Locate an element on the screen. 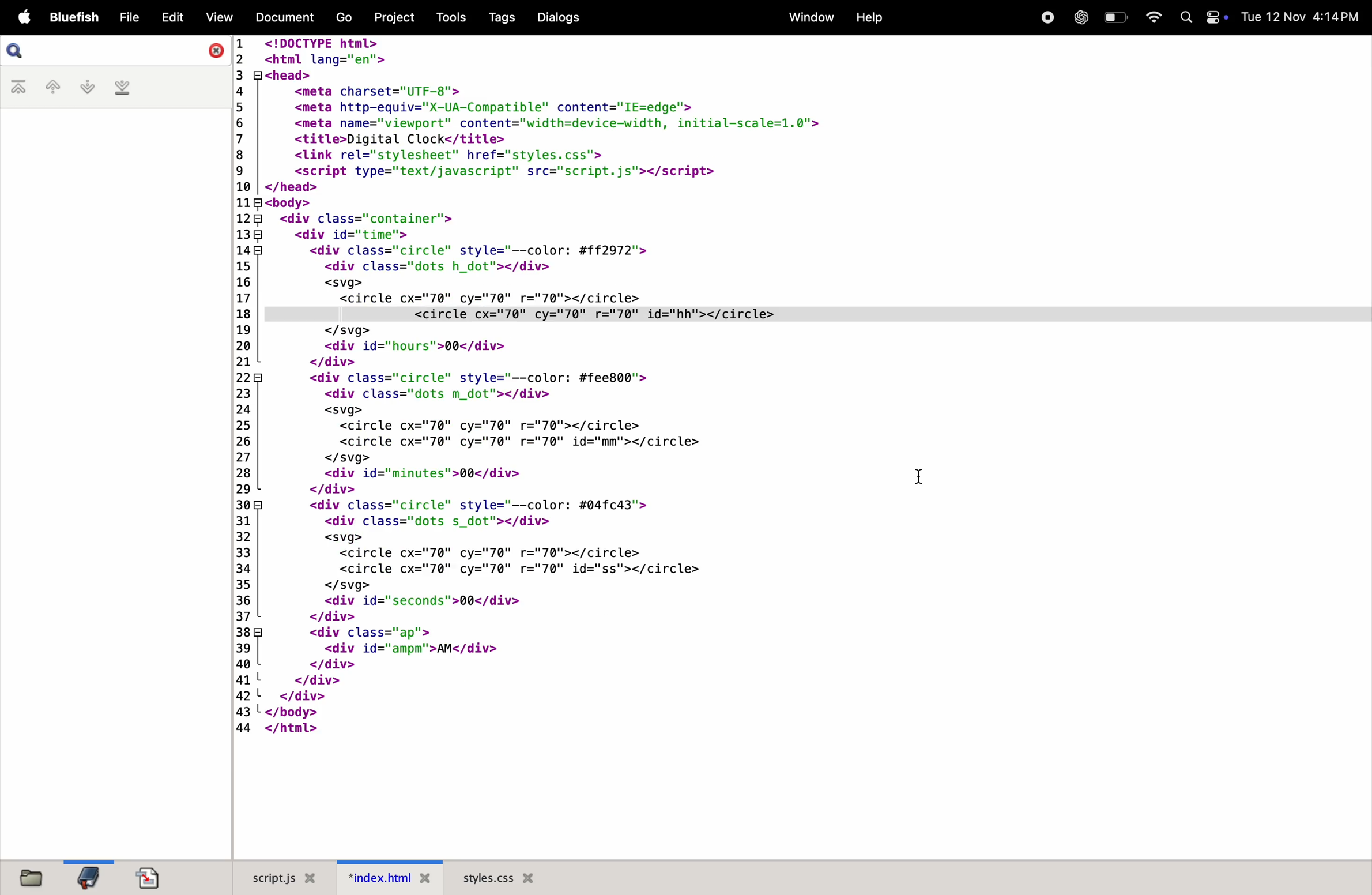 This screenshot has height=895, width=1372. next bookmark is located at coordinates (84, 87).